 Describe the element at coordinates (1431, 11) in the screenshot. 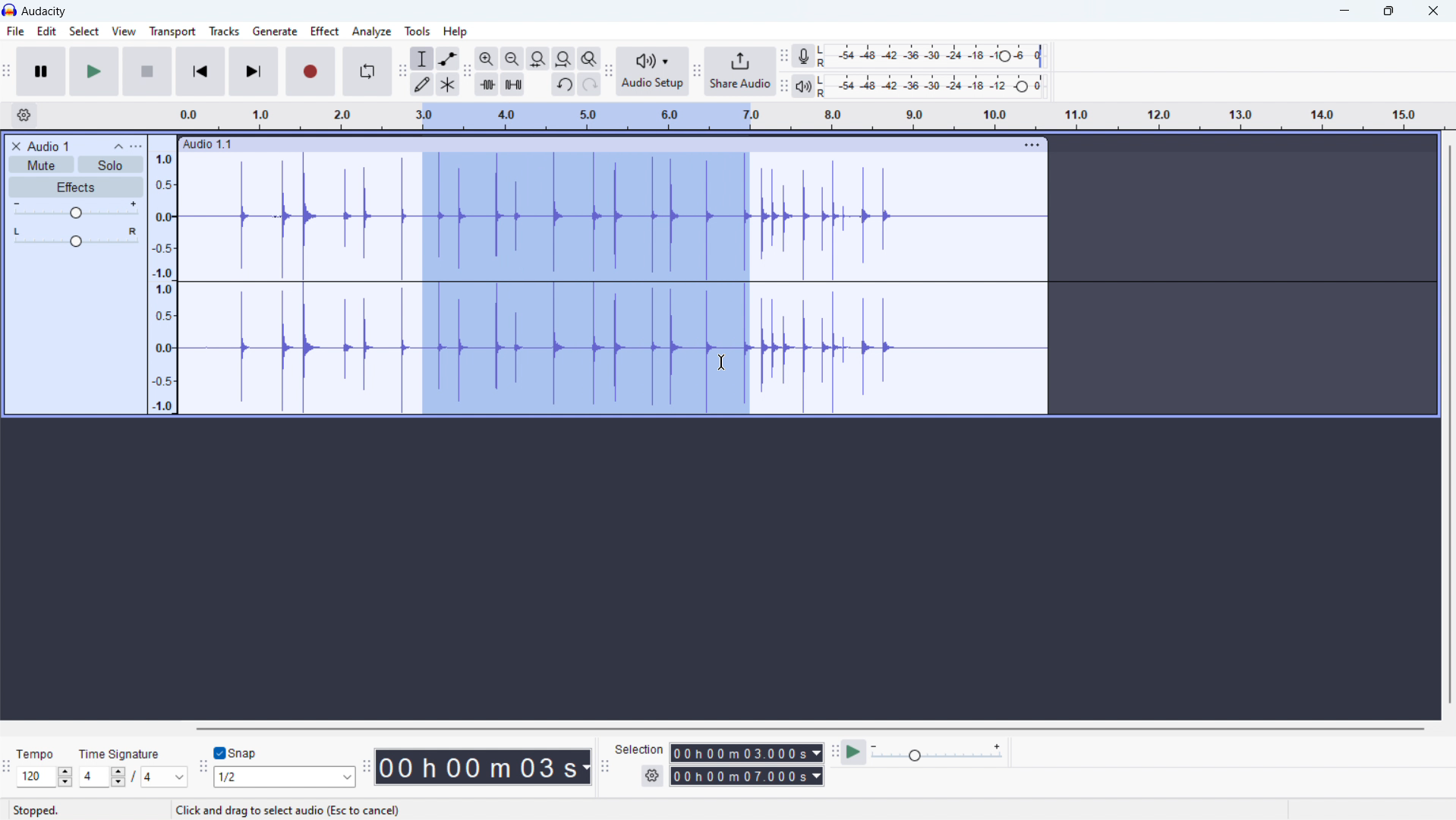

I see `close` at that location.